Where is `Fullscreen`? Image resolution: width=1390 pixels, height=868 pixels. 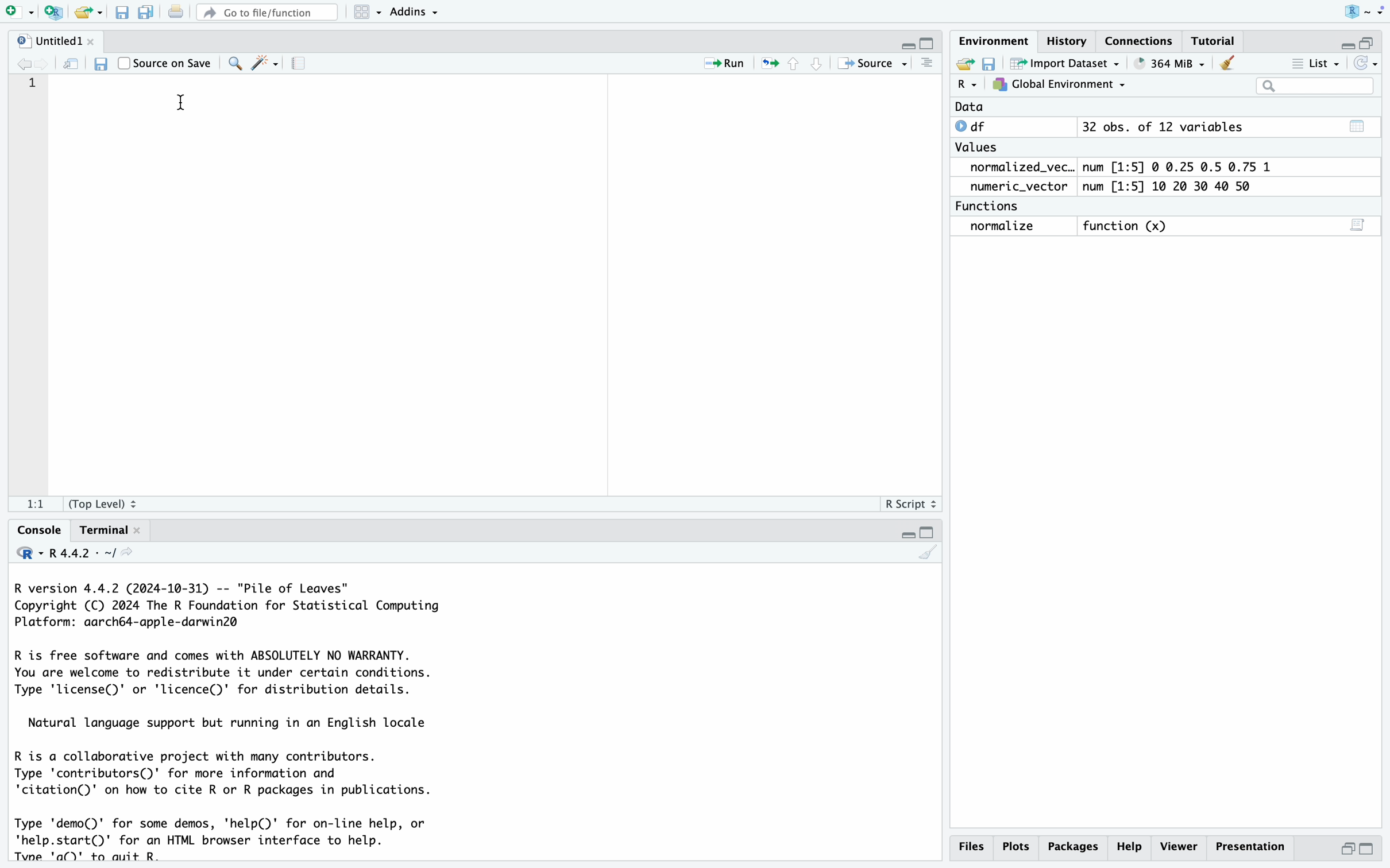 Fullscreen is located at coordinates (1360, 41).